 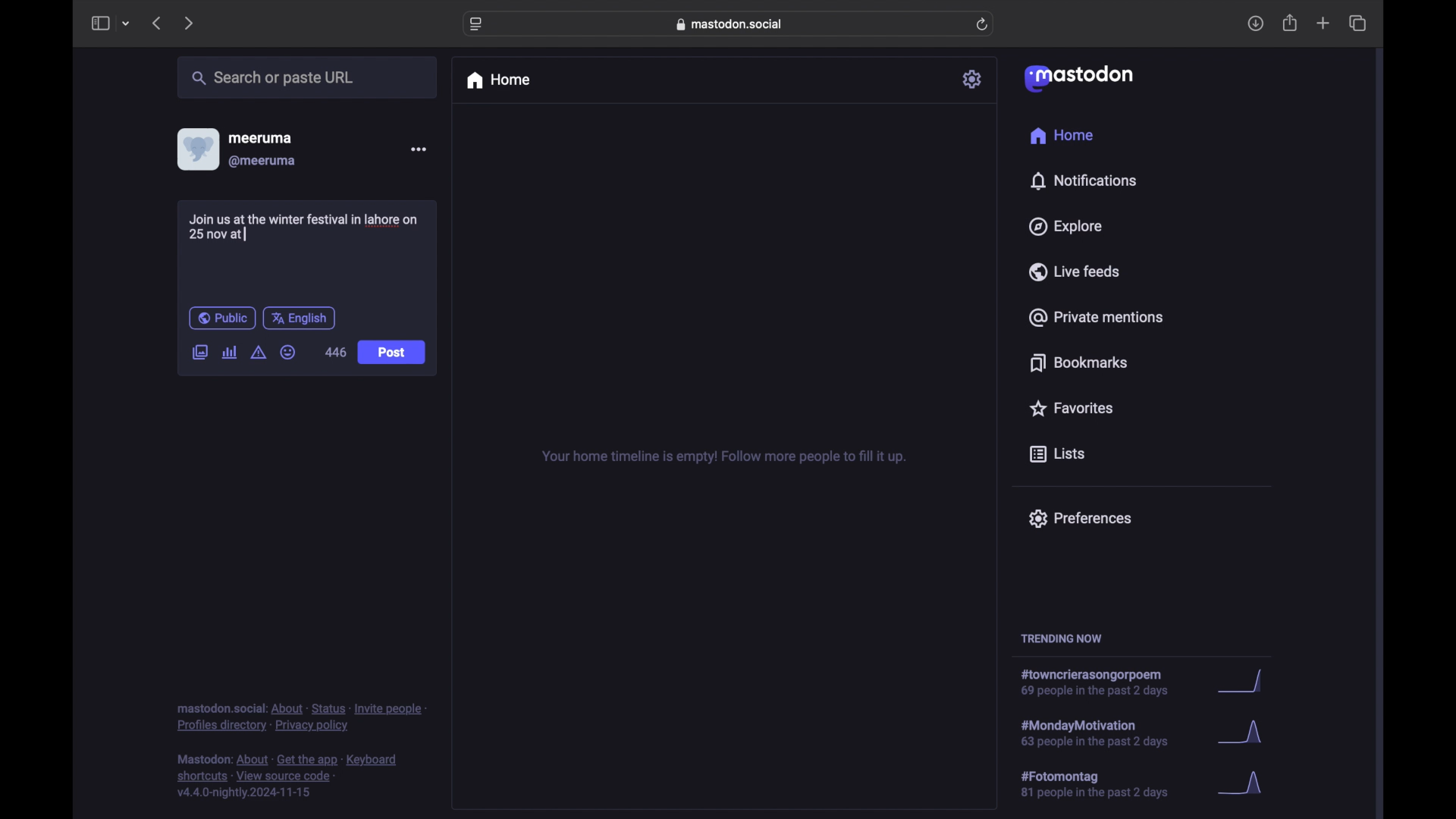 What do you see at coordinates (1097, 317) in the screenshot?
I see `private mentions` at bounding box center [1097, 317].